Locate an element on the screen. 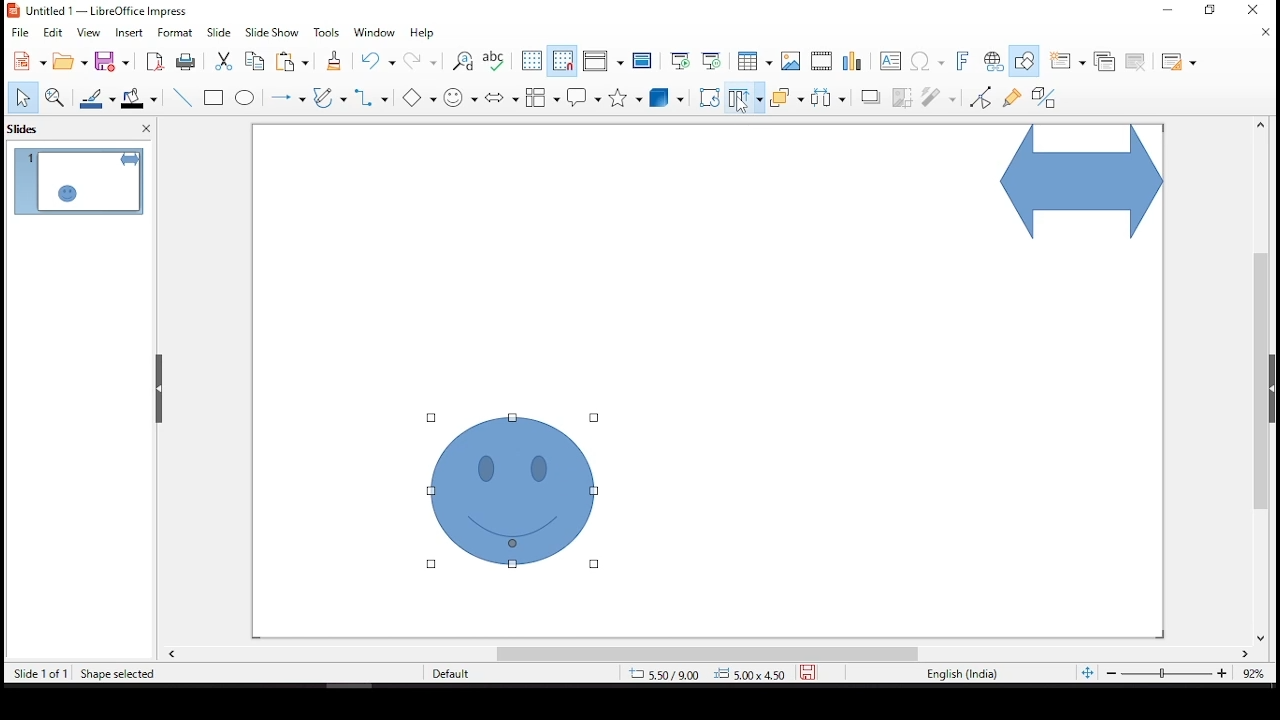 This screenshot has width=1280, height=720. callout shapes is located at coordinates (585, 98).